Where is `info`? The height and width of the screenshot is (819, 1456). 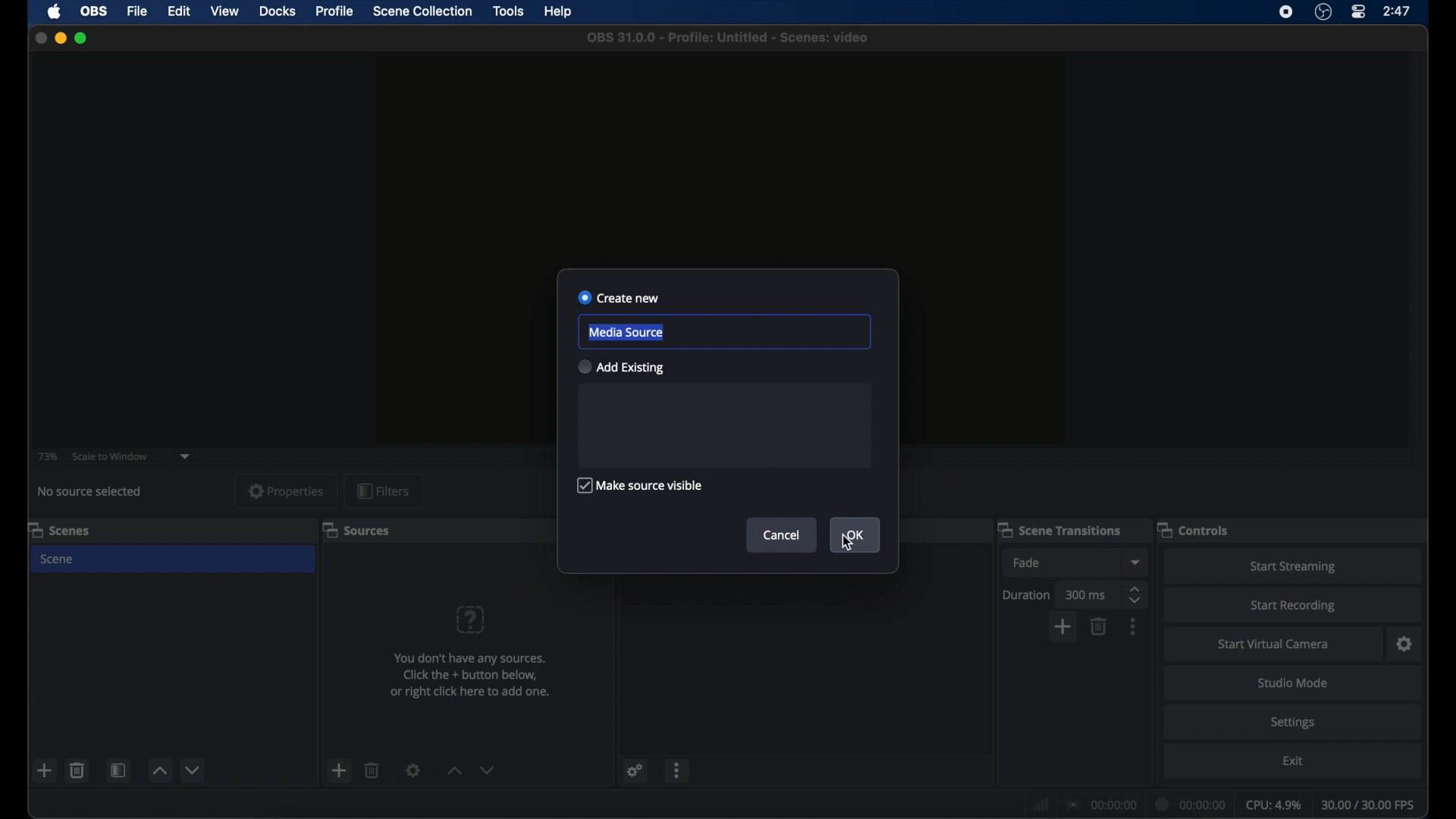 info is located at coordinates (469, 675).